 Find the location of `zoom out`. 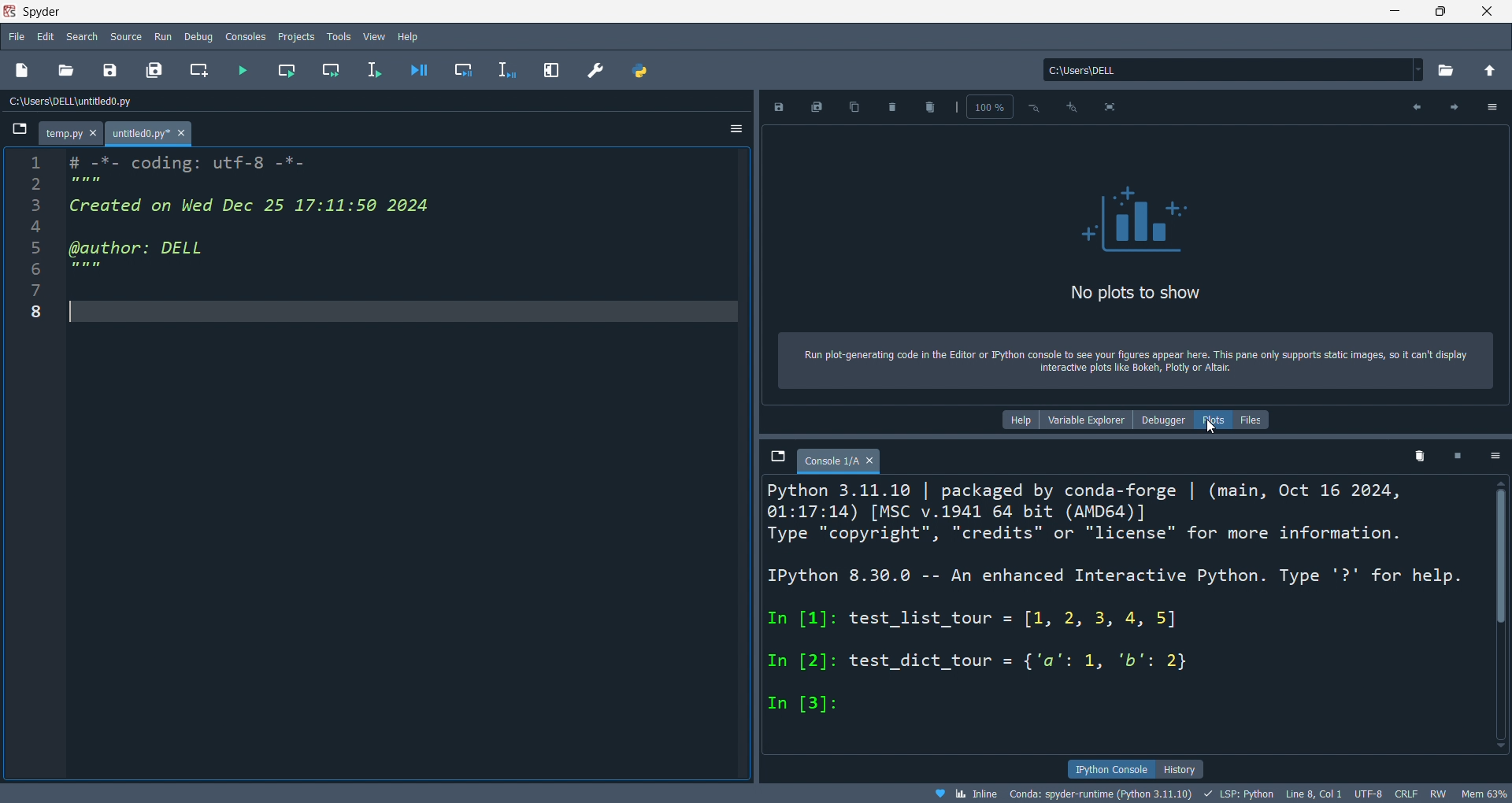

zoom out is located at coordinates (1032, 107).